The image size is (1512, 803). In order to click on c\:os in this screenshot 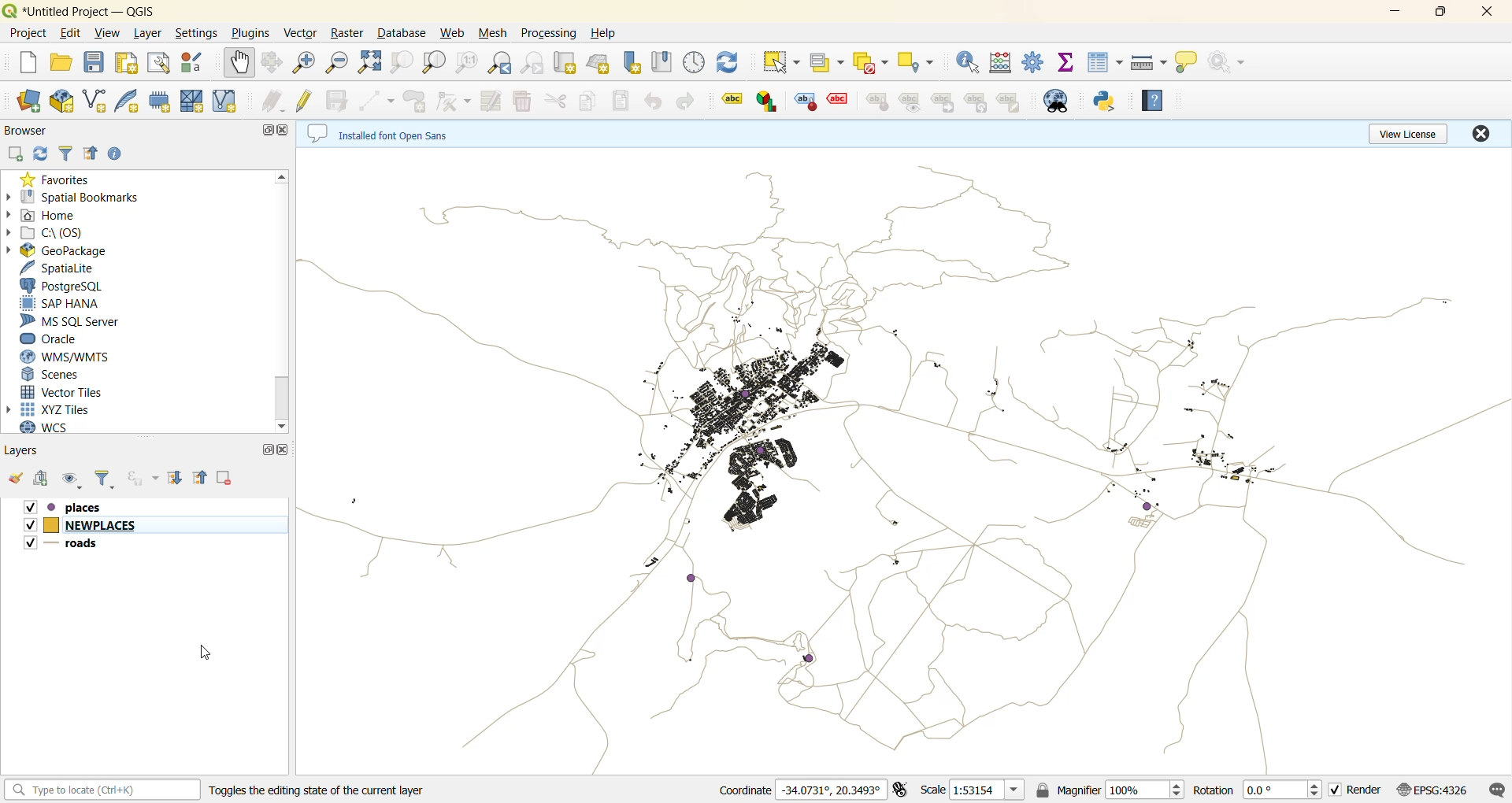, I will do `click(48, 233)`.